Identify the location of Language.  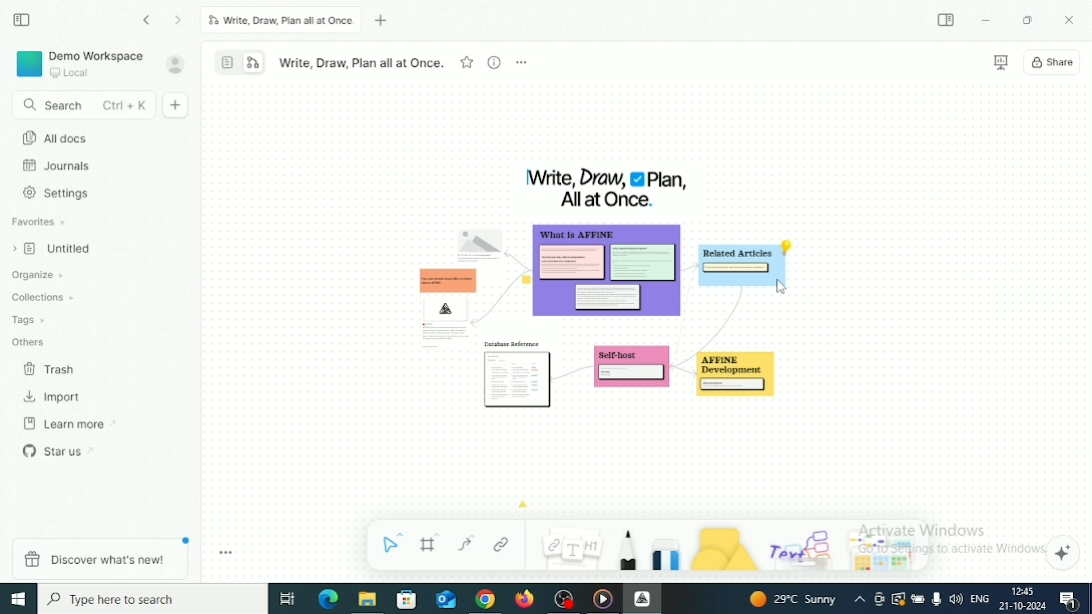
(979, 600).